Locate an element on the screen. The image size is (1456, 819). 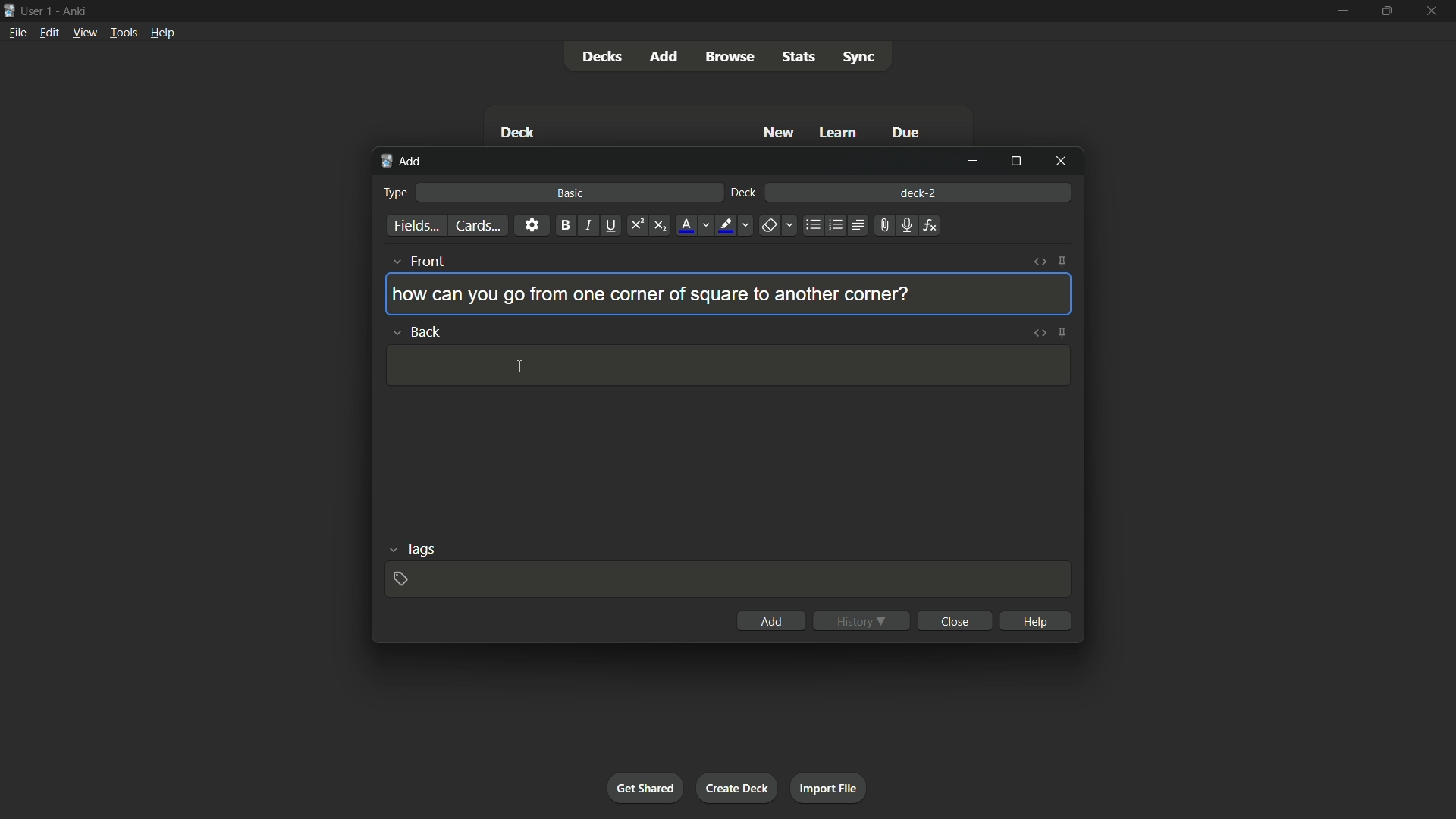
close window is located at coordinates (1058, 161).